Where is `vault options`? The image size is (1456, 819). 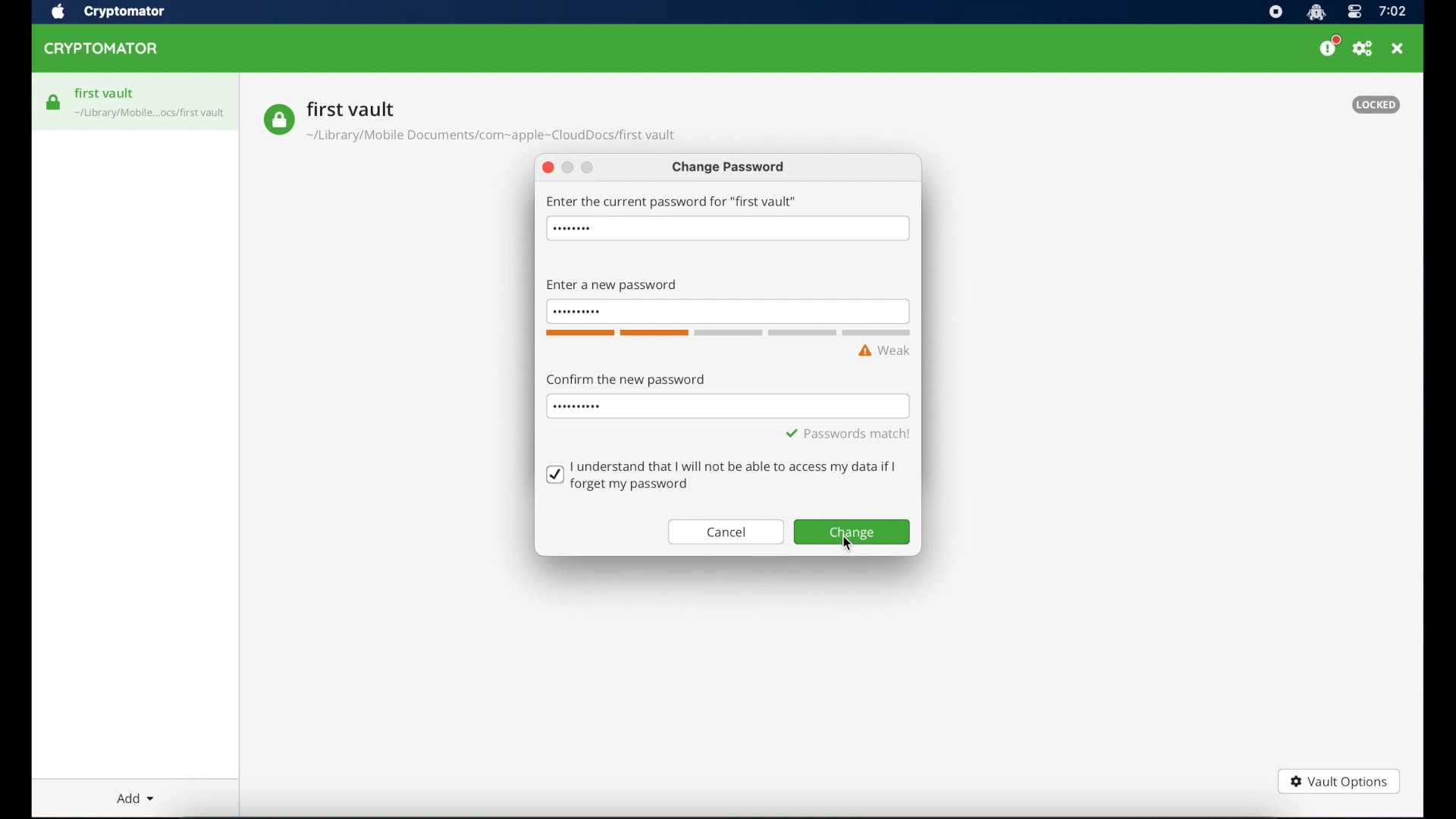 vault options is located at coordinates (1338, 783).